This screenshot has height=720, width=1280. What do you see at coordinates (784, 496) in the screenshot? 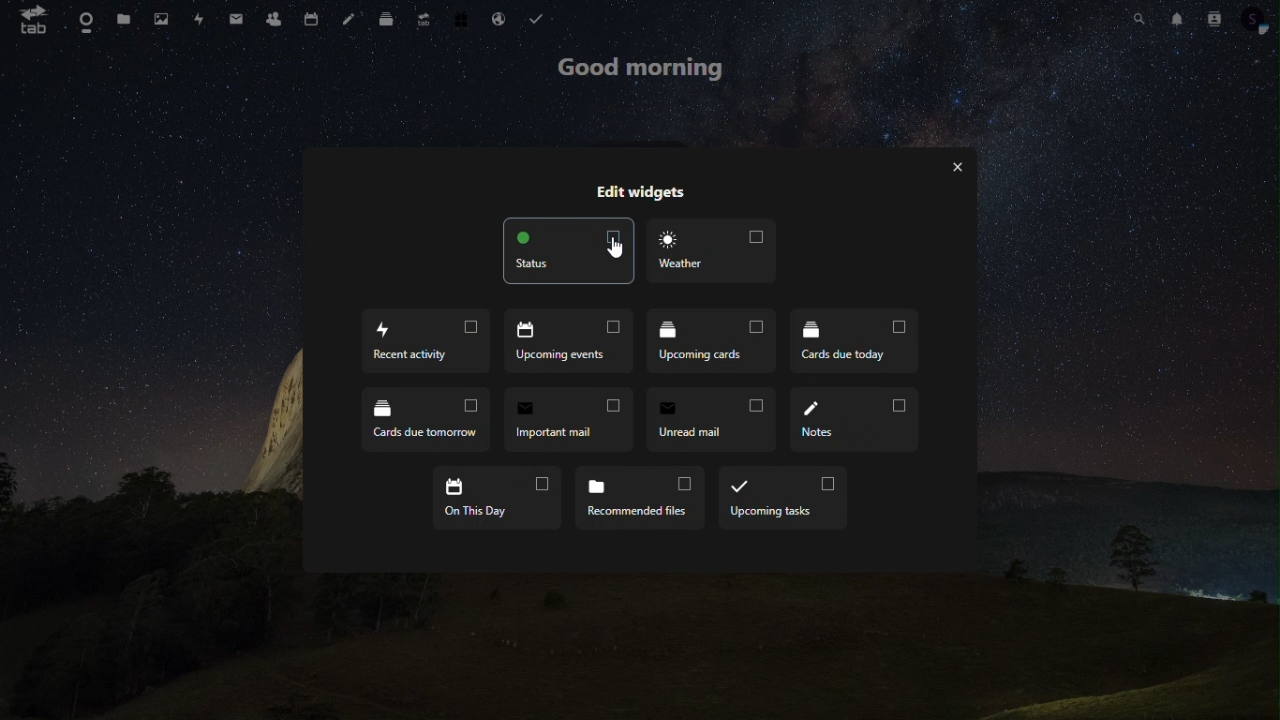
I see `upcoming tasks` at bounding box center [784, 496].